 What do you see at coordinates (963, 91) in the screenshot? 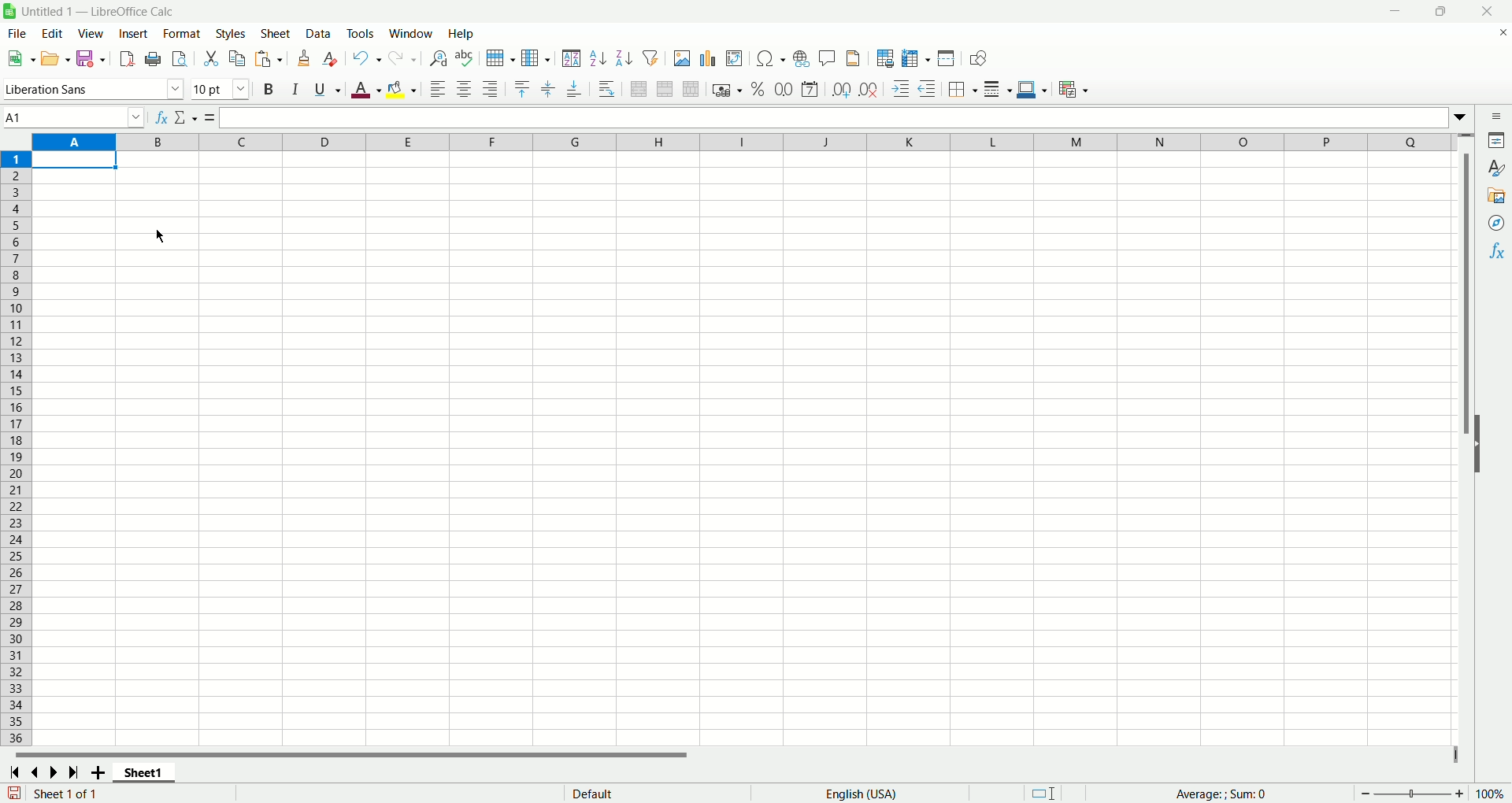
I see `border` at bounding box center [963, 91].